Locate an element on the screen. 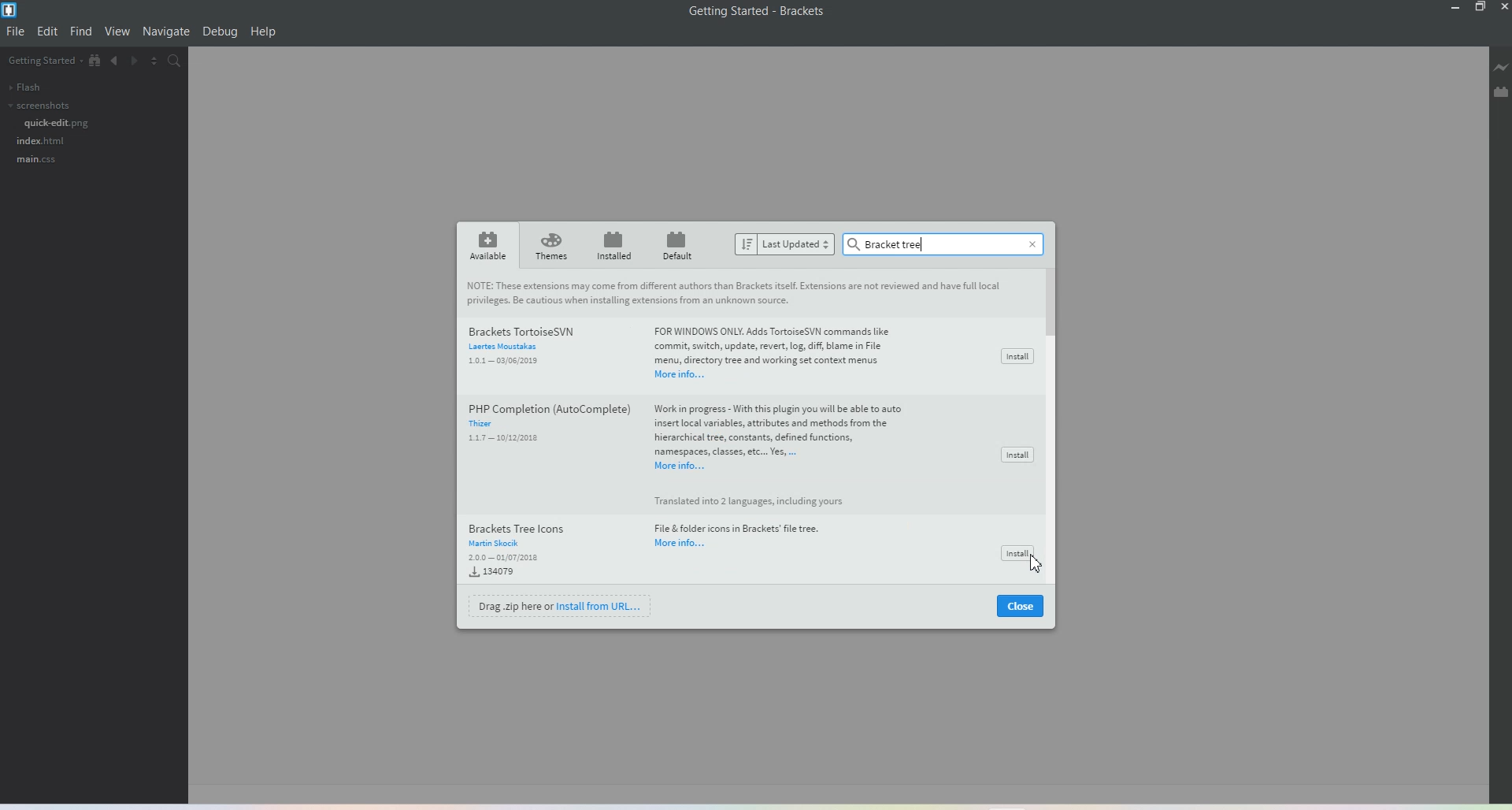  Text is located at coordinates (736, 292).